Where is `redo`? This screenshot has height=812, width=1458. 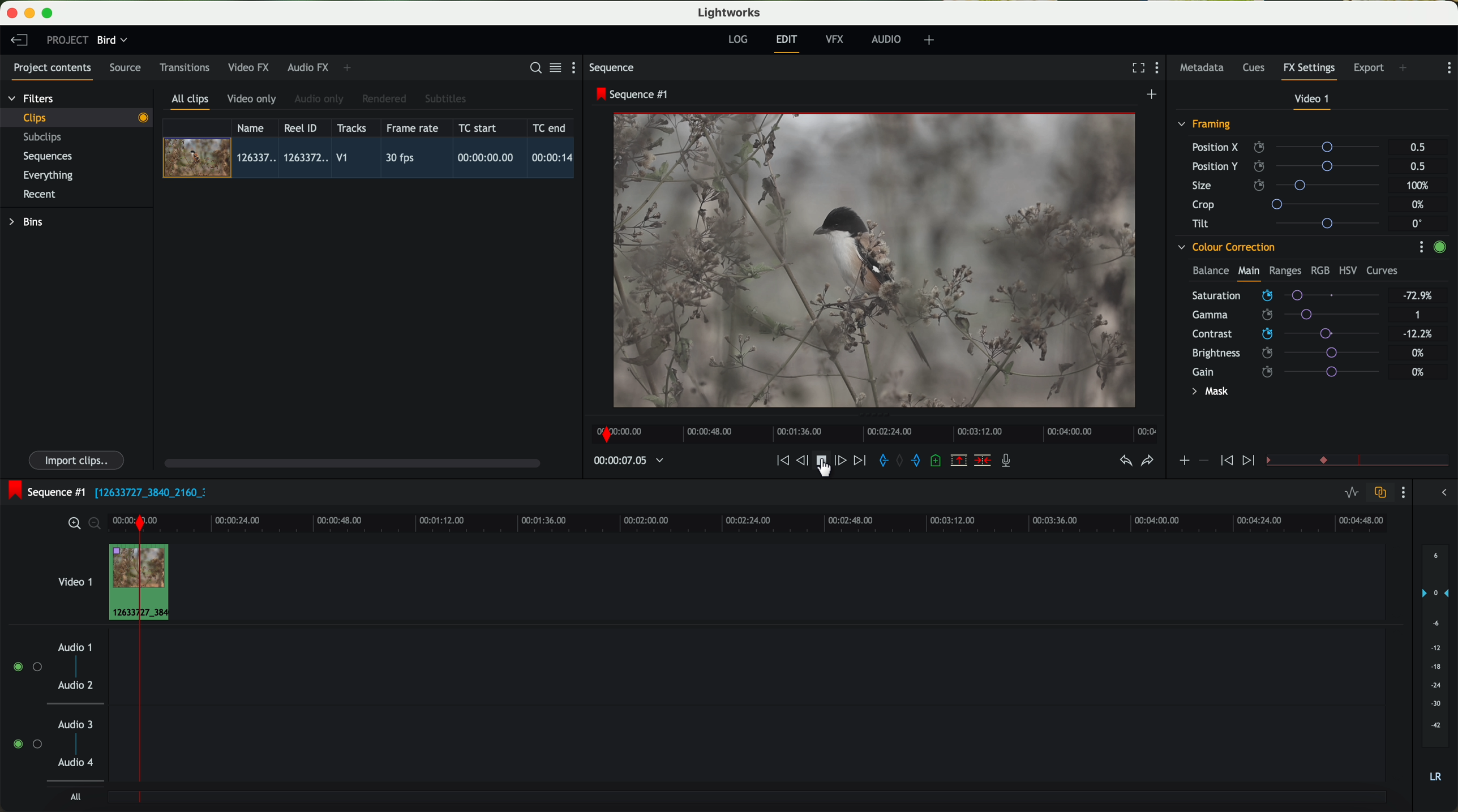
redo is located at coordinates (1147, 462).